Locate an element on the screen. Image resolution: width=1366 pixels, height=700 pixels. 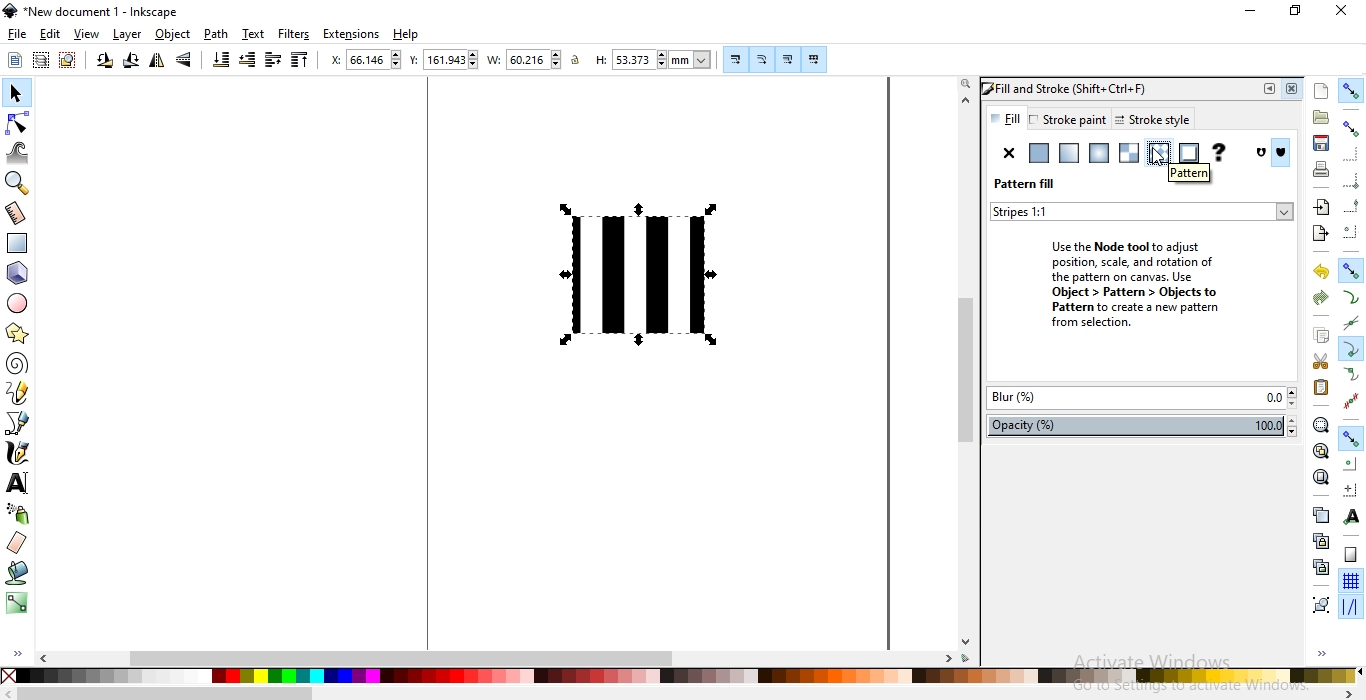
draw calligraphic or brush strokes is located at coordinates (16, 453).